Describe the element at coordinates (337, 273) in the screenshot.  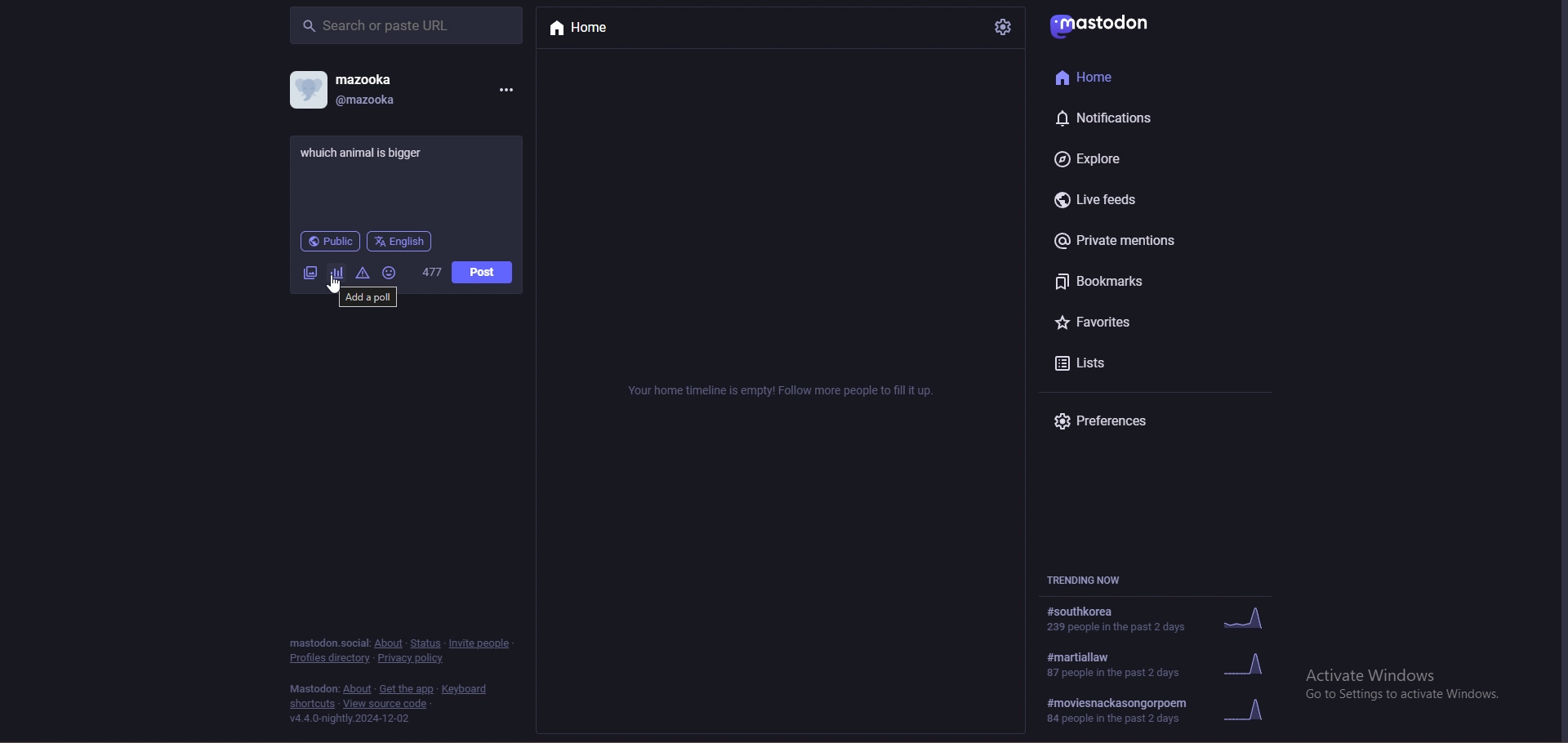
I see `polls` at that location.